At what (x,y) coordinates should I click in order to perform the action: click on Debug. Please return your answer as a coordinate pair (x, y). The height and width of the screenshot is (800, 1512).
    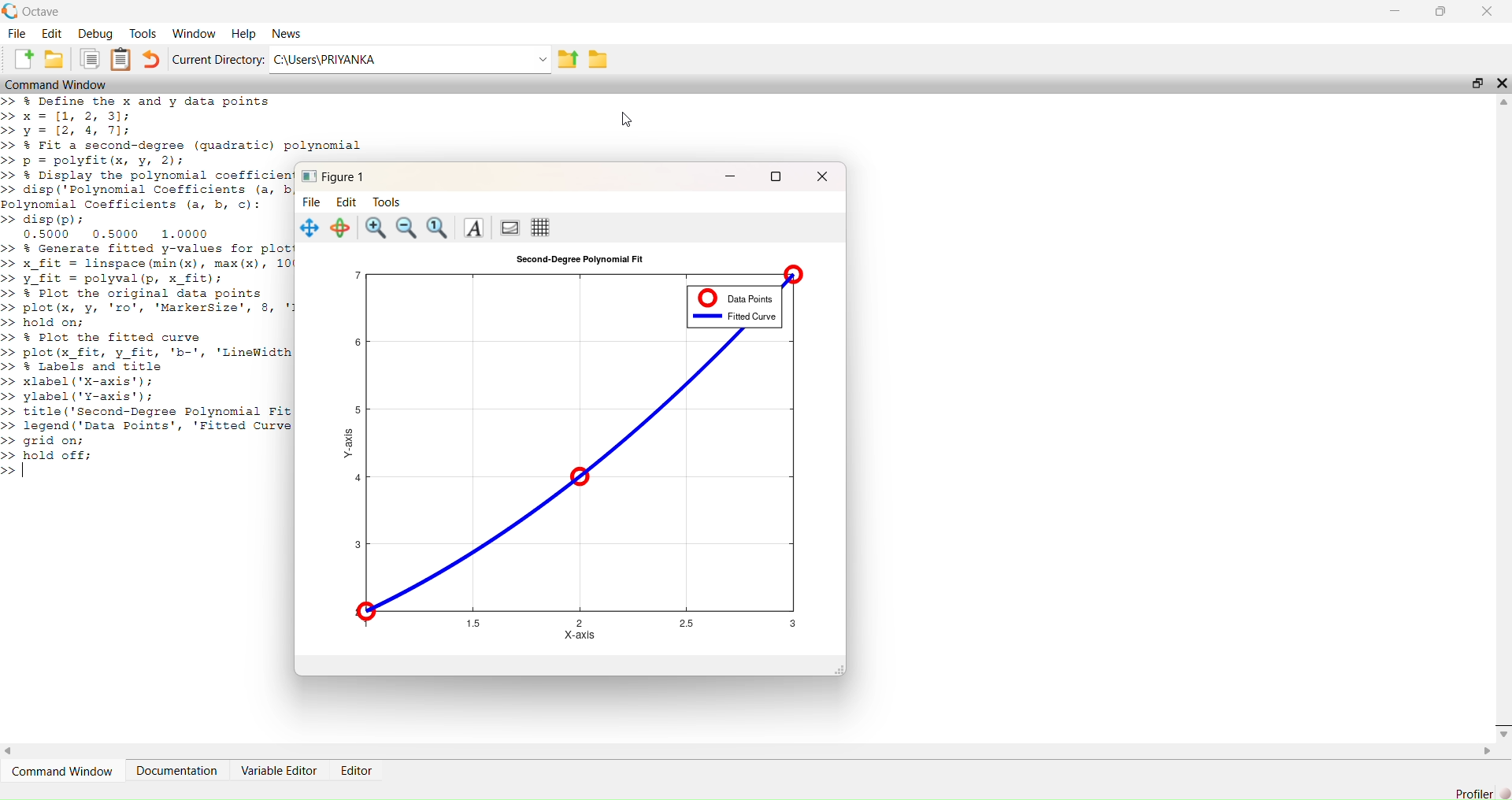
    Looking at the image, I should click on (95, 34).